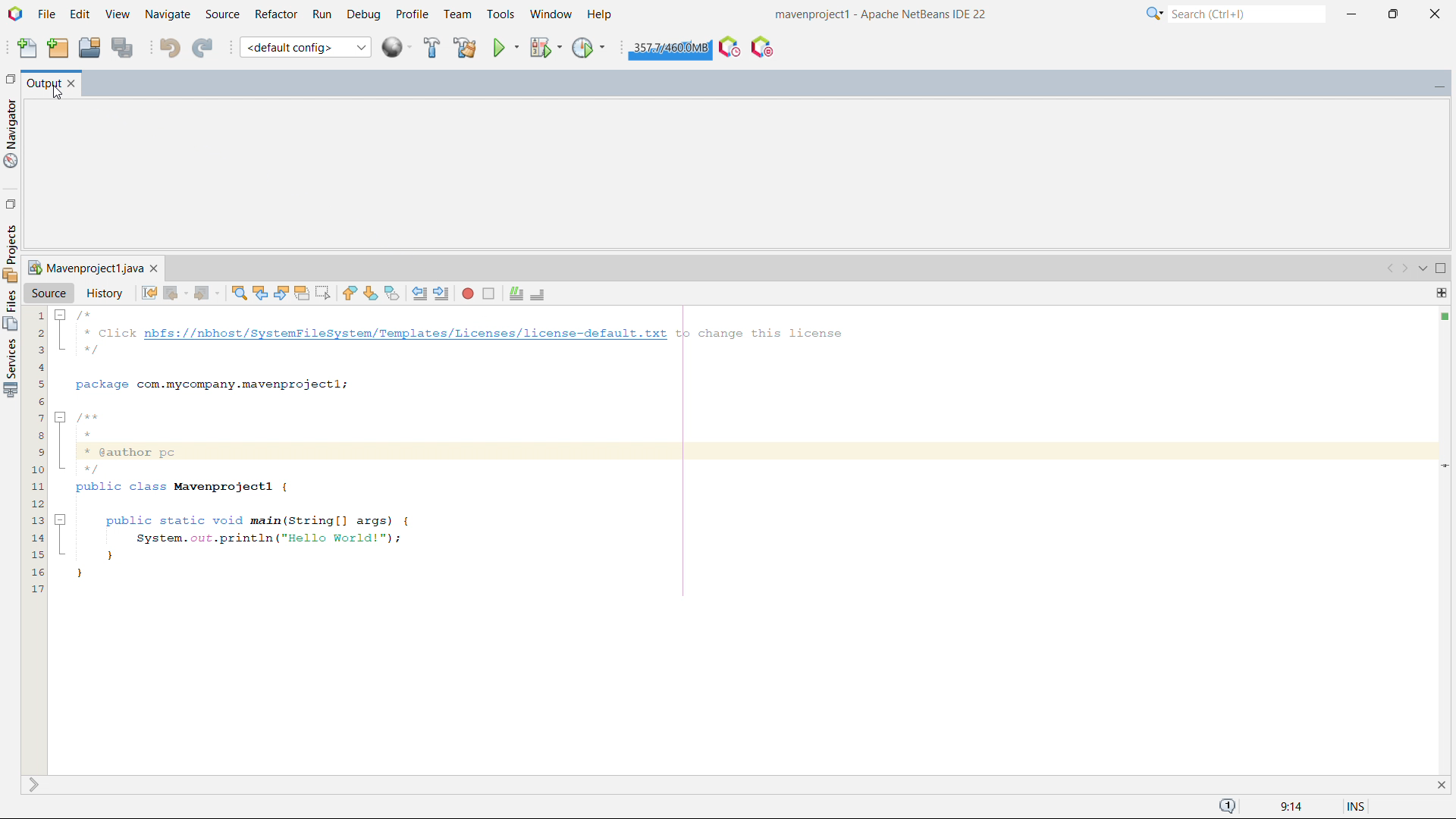 The image size is (1456, 819). Describe the element at coordinates (33, 785) in the screenshot. I see `scroll` at that location.